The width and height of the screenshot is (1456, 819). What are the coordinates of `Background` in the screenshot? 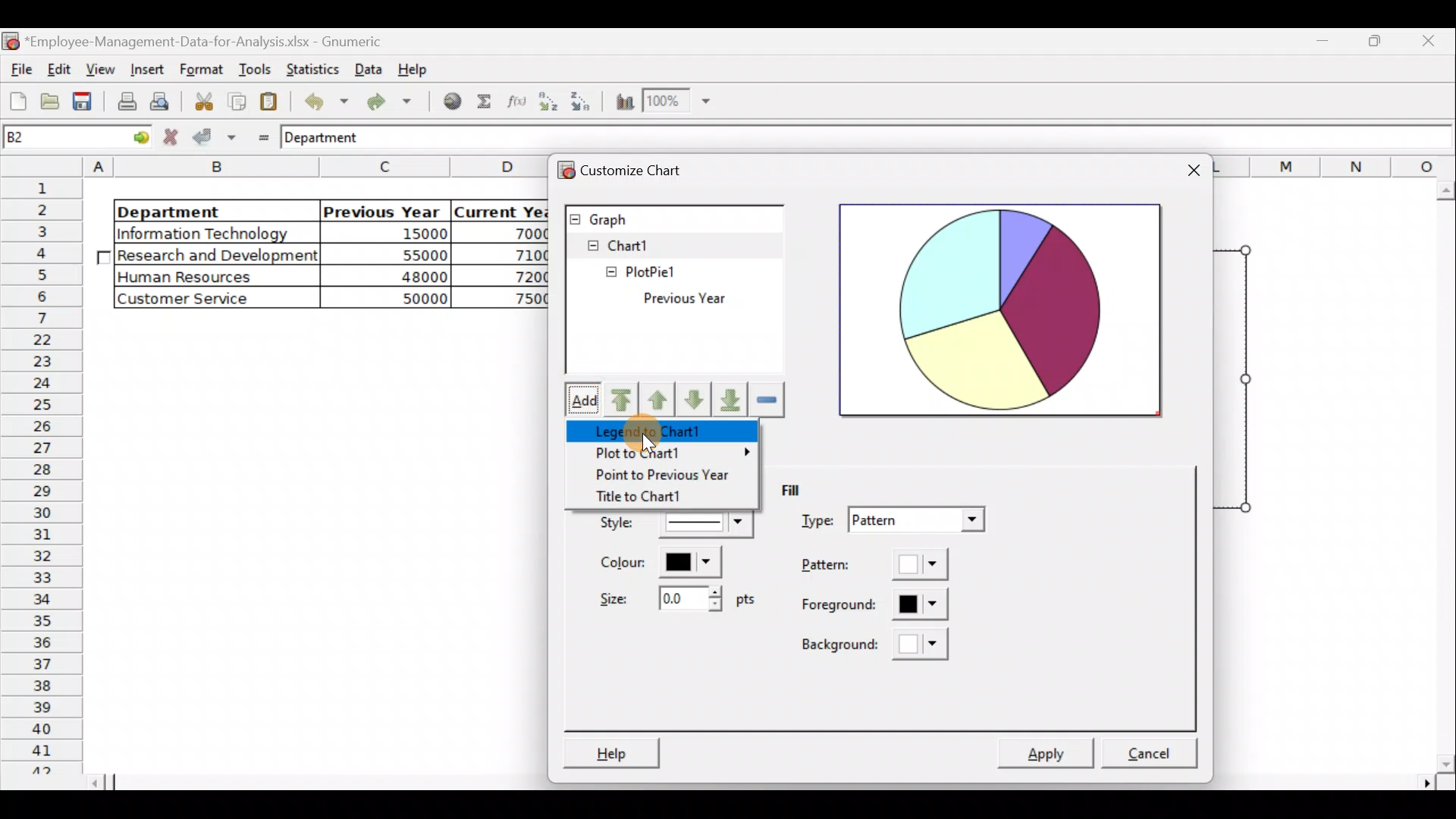 It's located at (879, 645).